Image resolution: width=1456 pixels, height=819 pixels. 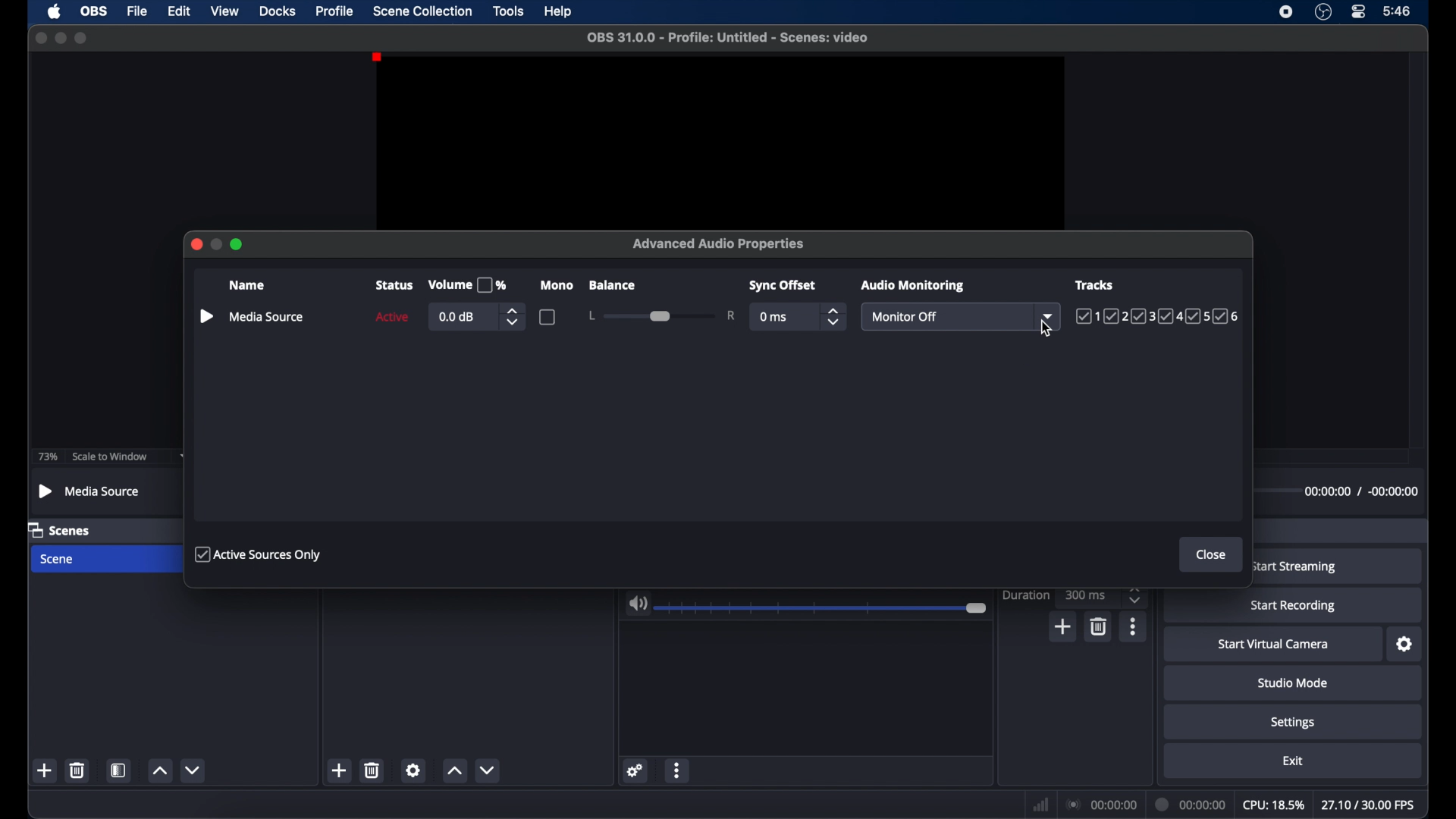 I want to click on 73%, so click(x=47, y=457).